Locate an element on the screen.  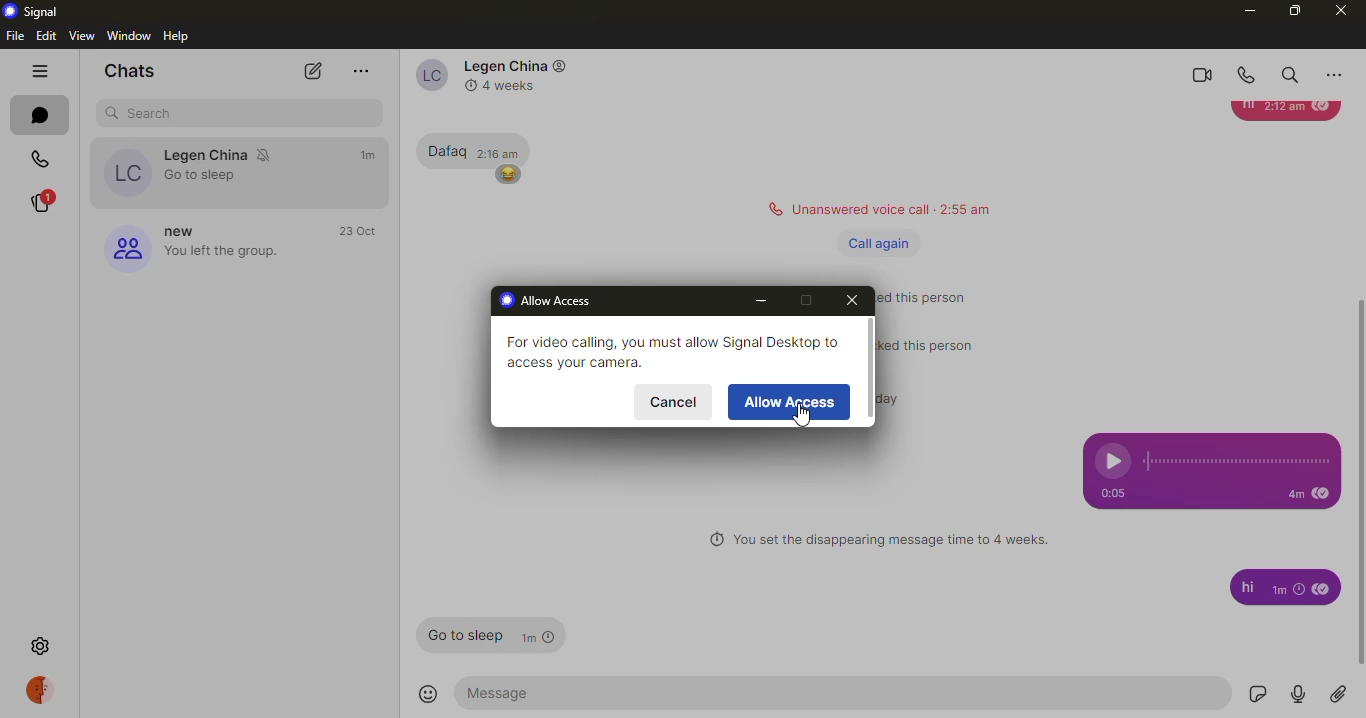
hi is located at coordinates (1243, 587).